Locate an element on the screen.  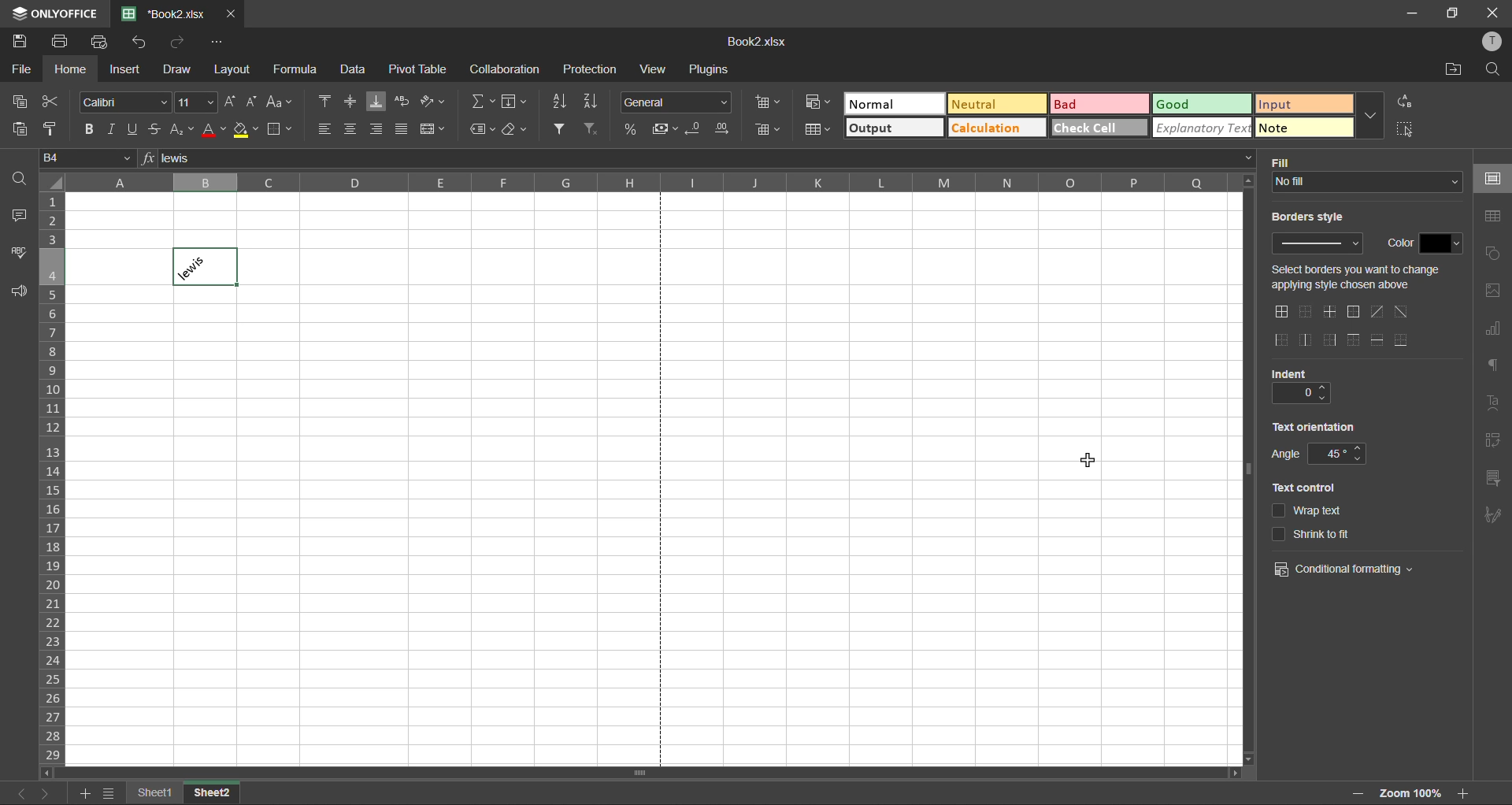
move down is located at coordinates (1246, 759).